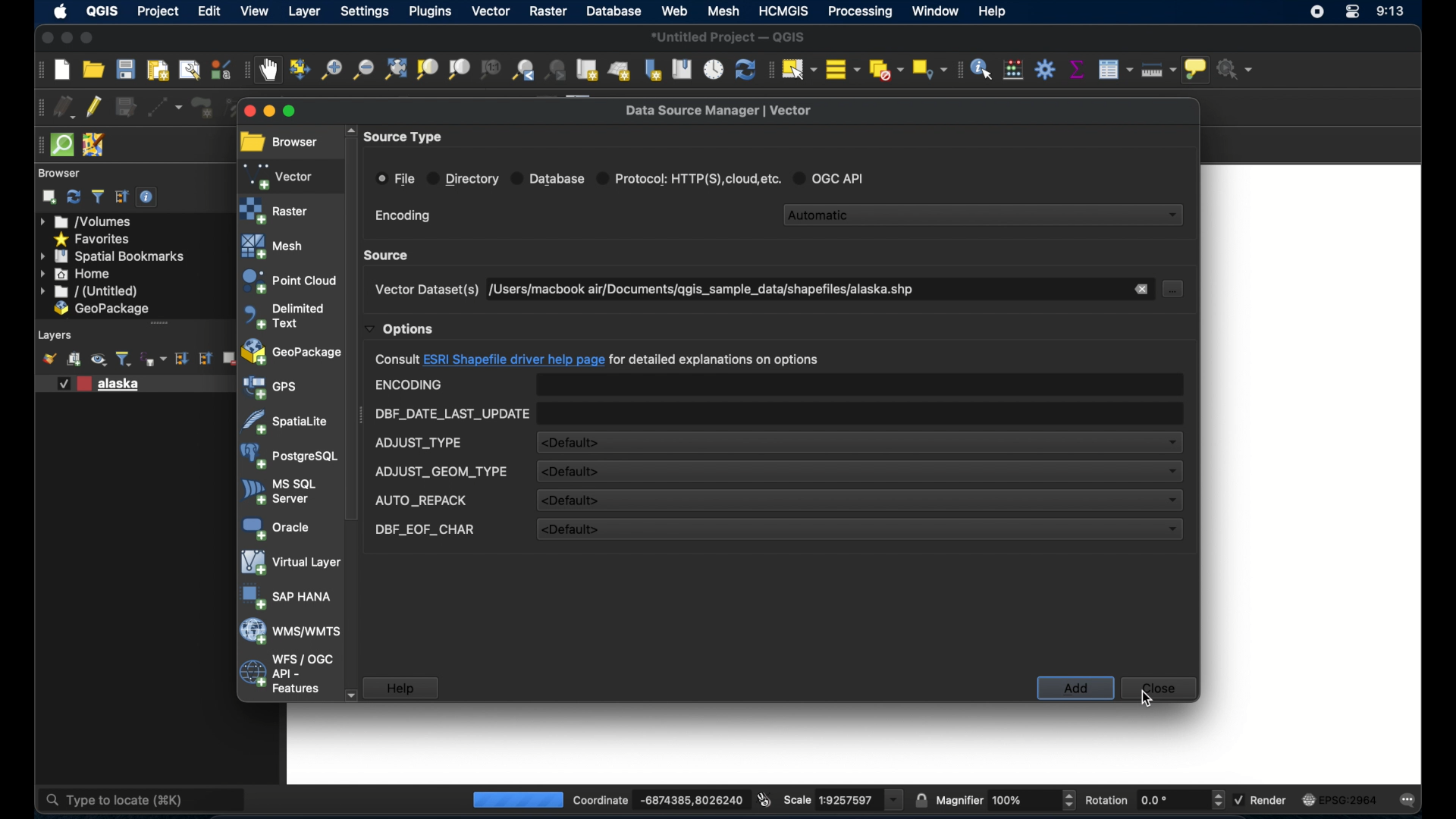 The image size is (1456, 819). I want to click on select features by area or single click, so click(800, 67).